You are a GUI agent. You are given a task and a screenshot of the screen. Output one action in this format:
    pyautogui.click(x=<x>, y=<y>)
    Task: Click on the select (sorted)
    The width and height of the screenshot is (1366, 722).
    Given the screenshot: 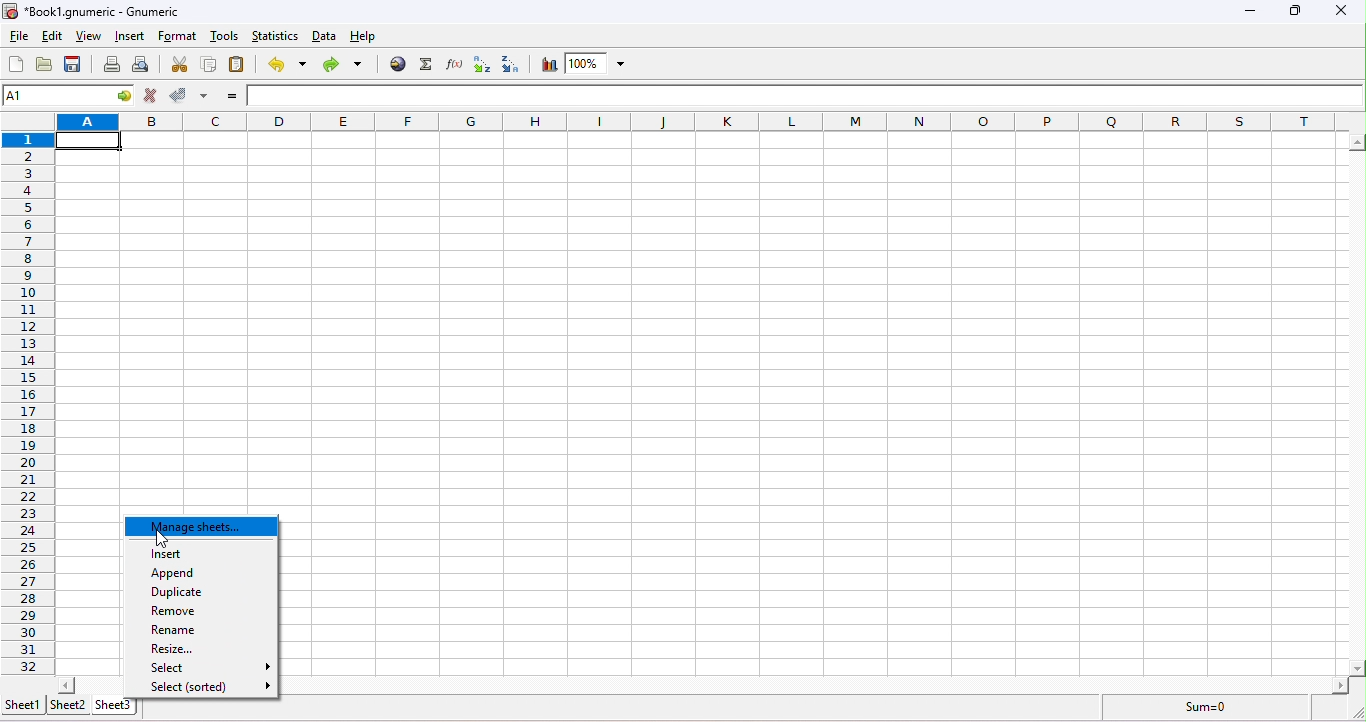 What is the action you would take?
    pyautogui.click(x=203, y=688)
    